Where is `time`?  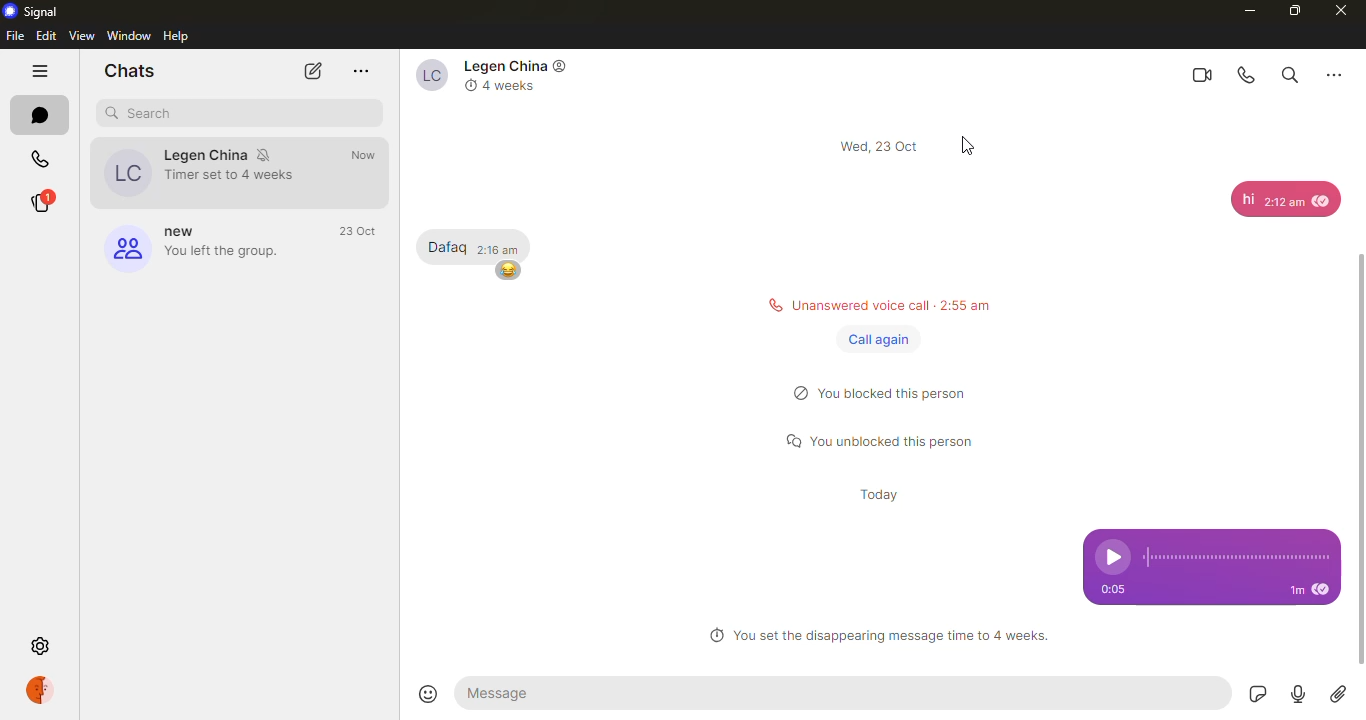 time is located at coordinates (882, 492).